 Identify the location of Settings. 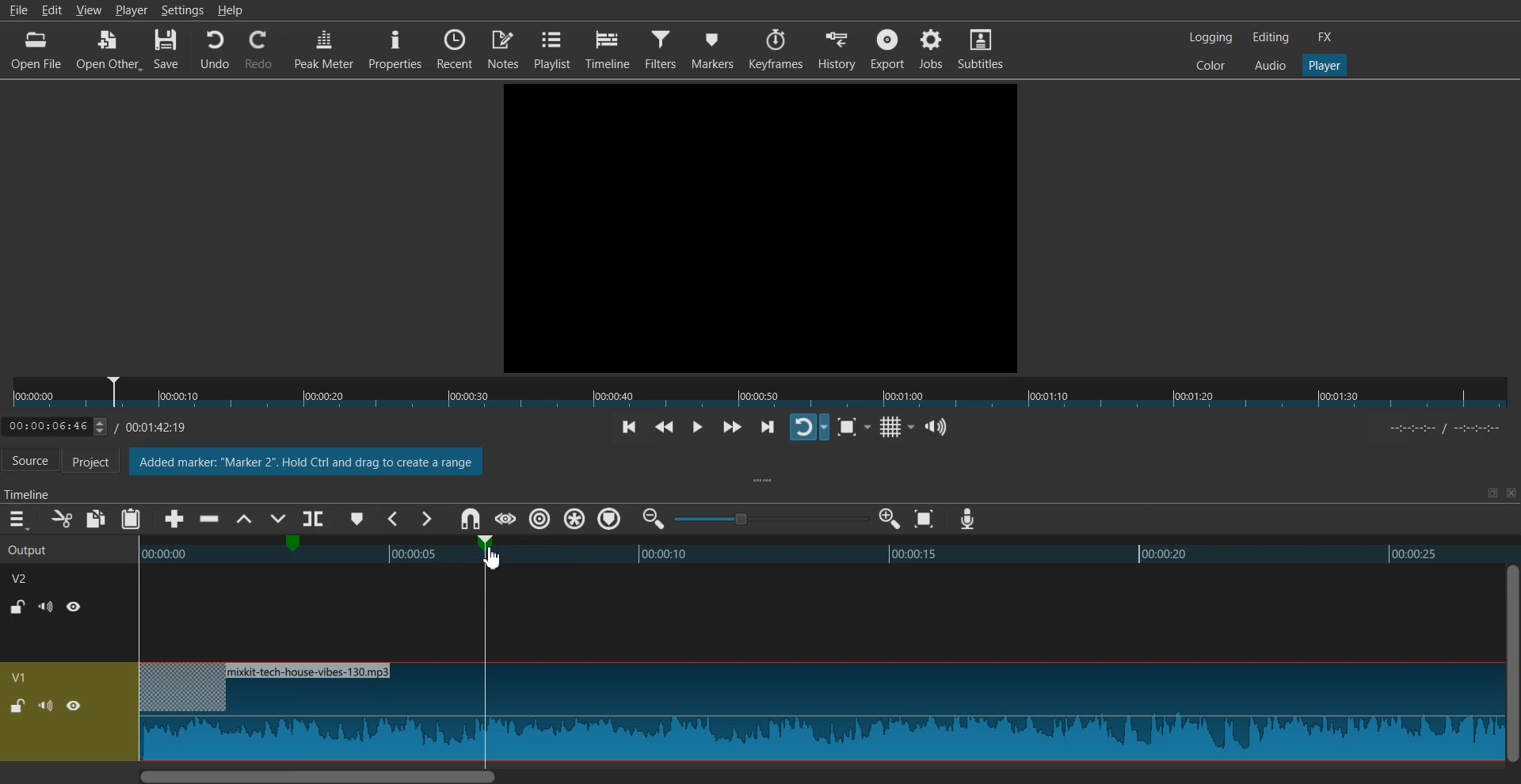
(182, 10).